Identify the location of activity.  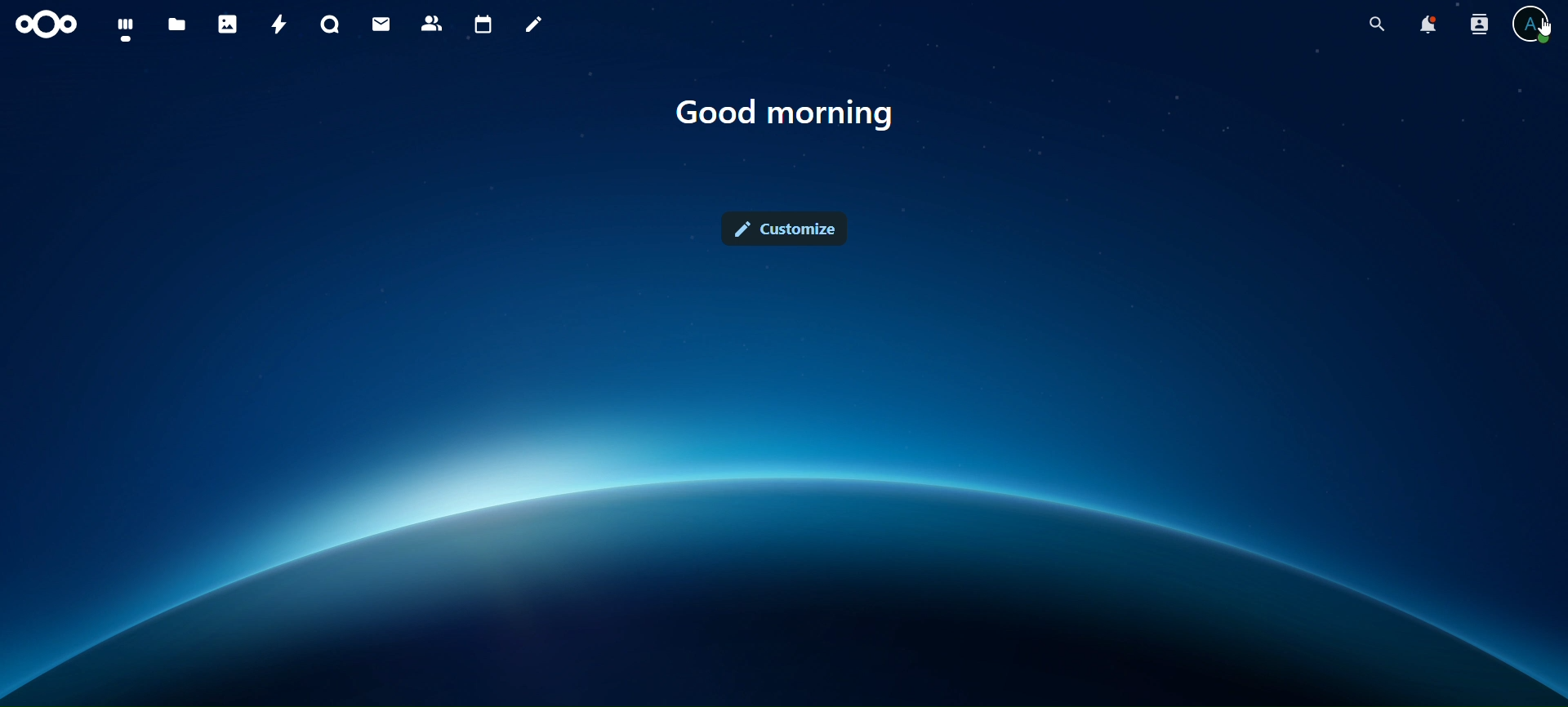
(281, 25).